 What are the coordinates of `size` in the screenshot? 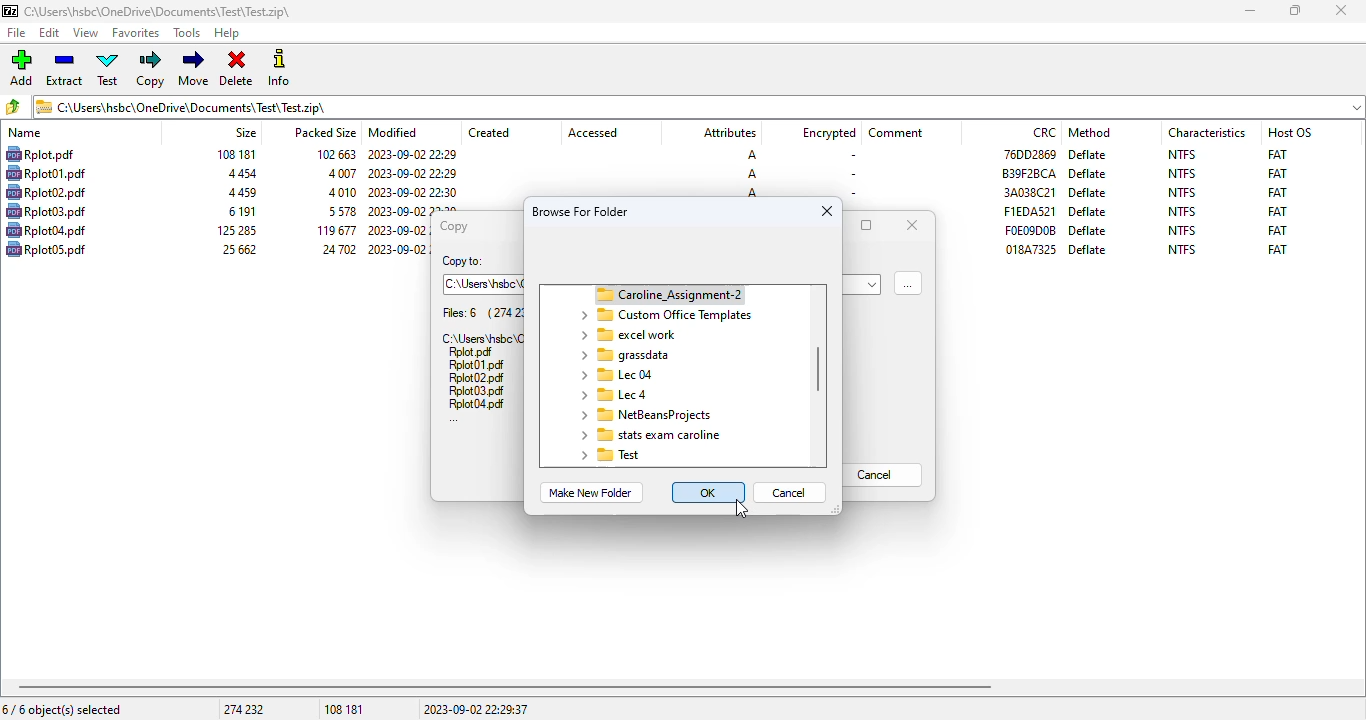 It's located at (234, 230).